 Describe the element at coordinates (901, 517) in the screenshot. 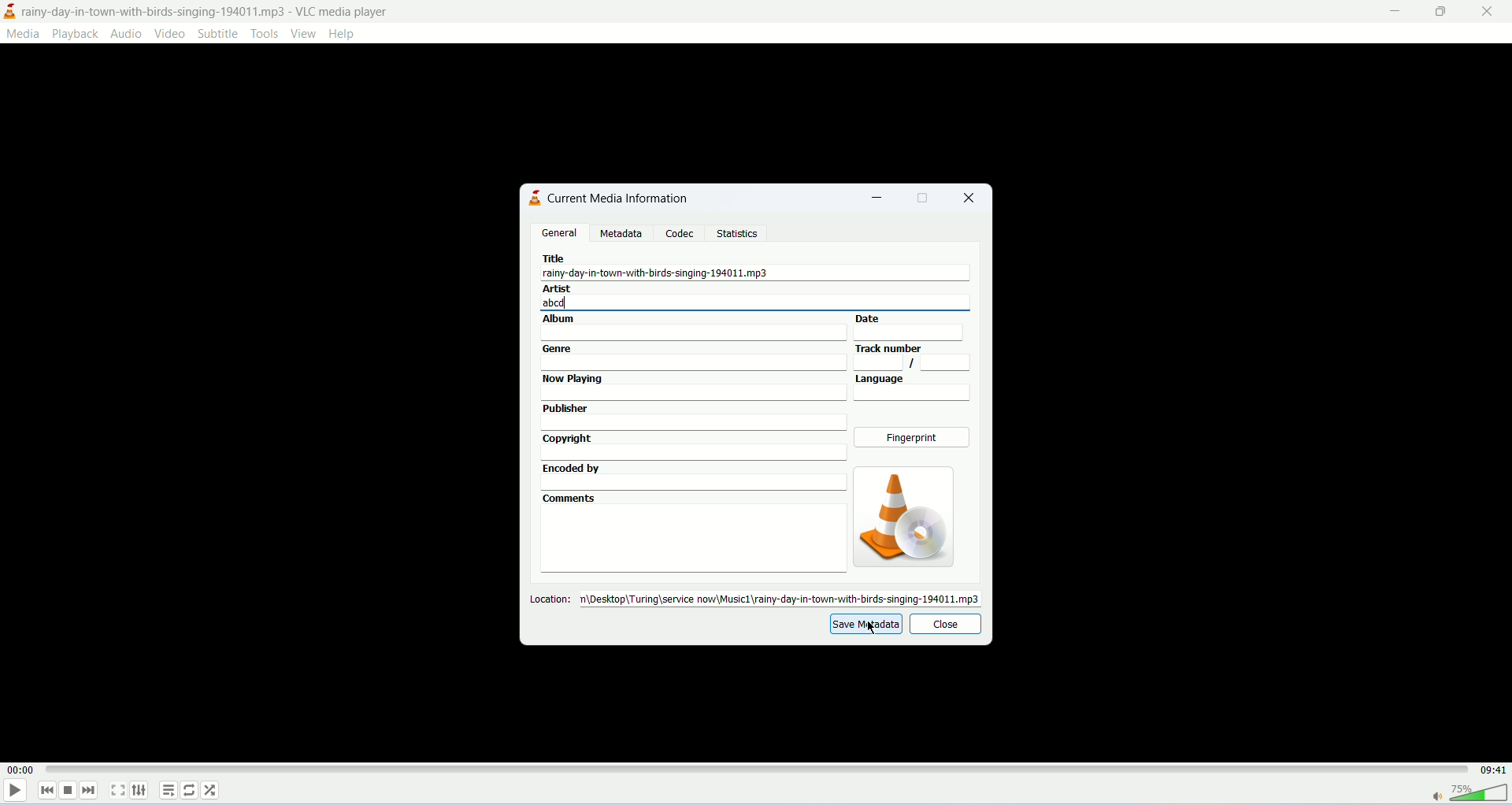

I see `image` at that location.